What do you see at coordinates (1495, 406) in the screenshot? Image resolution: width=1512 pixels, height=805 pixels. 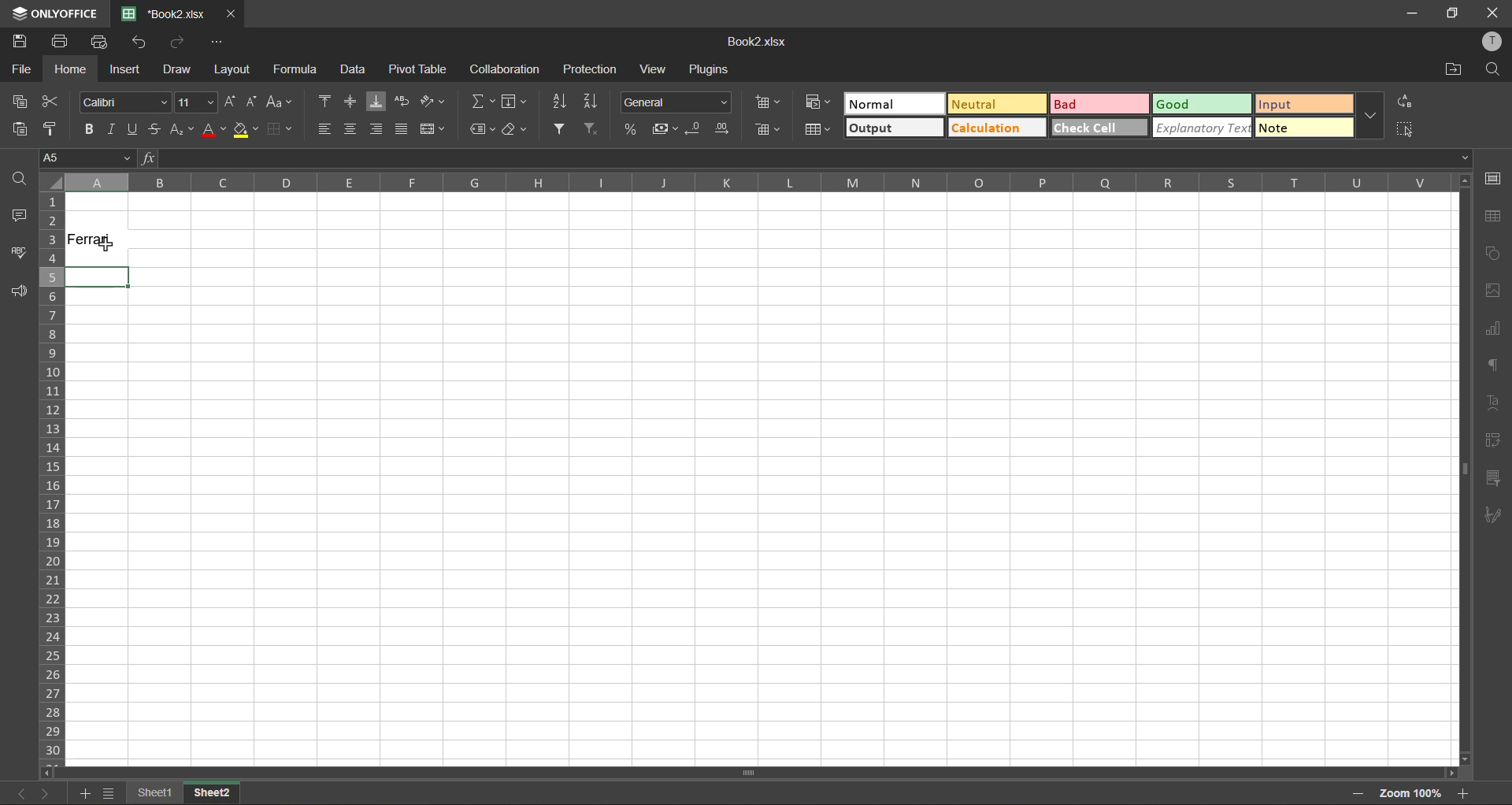 I see `text` at bounding box center [1495, 406].